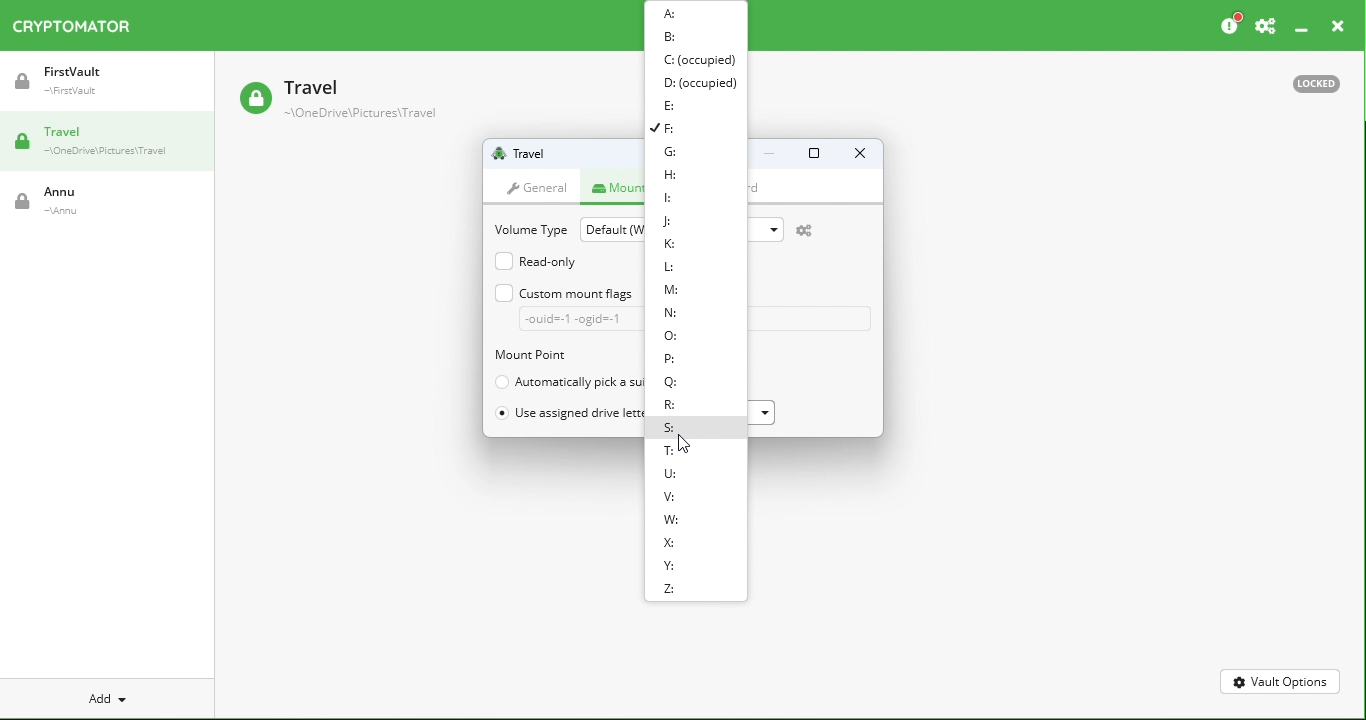 This screenshot has height=720, width=1366. Describe the element at coordinates (670, 313) in the screenshot. I see `N:` at that location.